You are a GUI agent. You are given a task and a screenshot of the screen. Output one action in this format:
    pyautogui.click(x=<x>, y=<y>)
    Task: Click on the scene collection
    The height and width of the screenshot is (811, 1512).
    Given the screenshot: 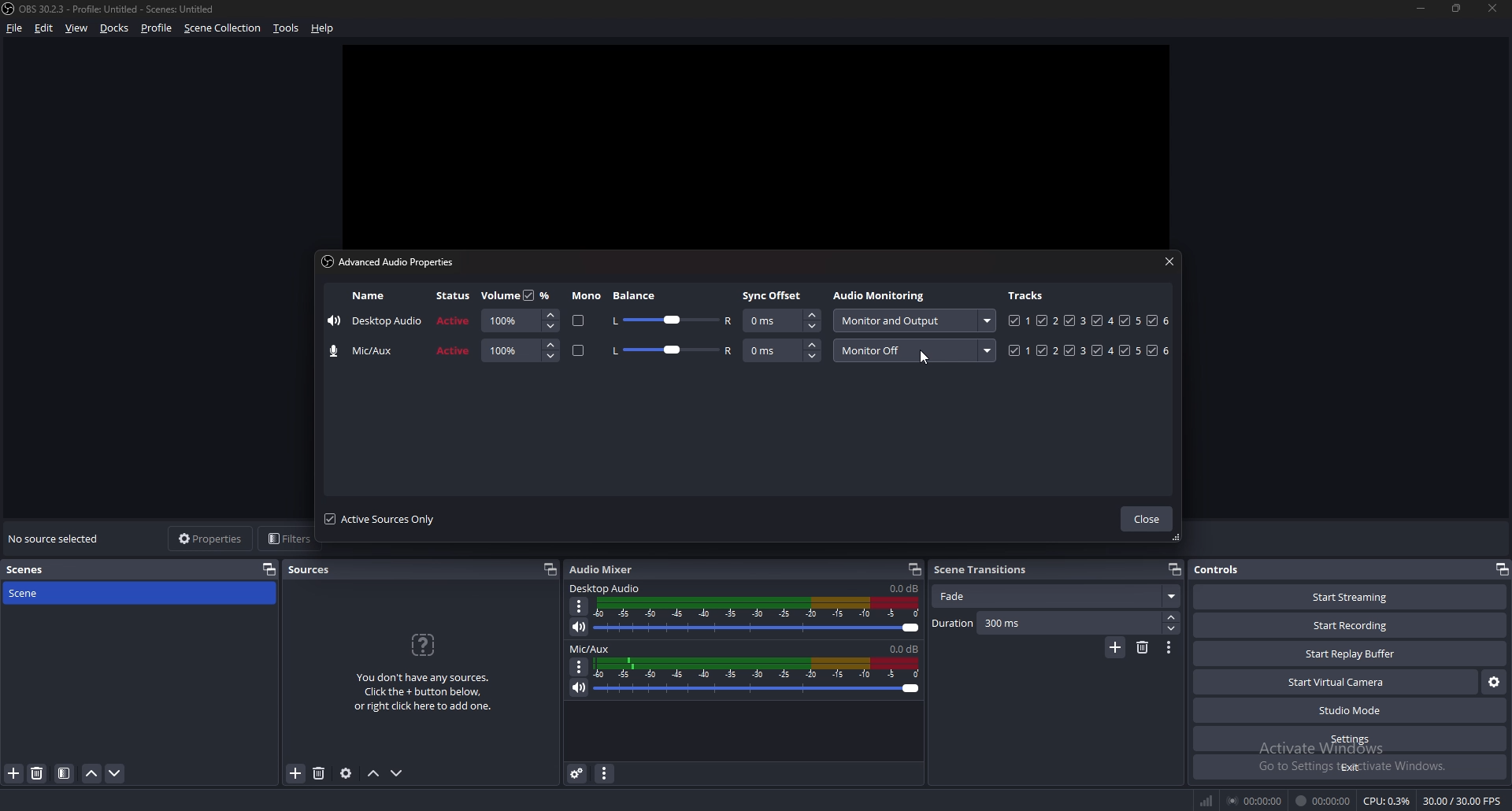 What is the action you would take?
    pyautogui.click(x=222, y=28)
    